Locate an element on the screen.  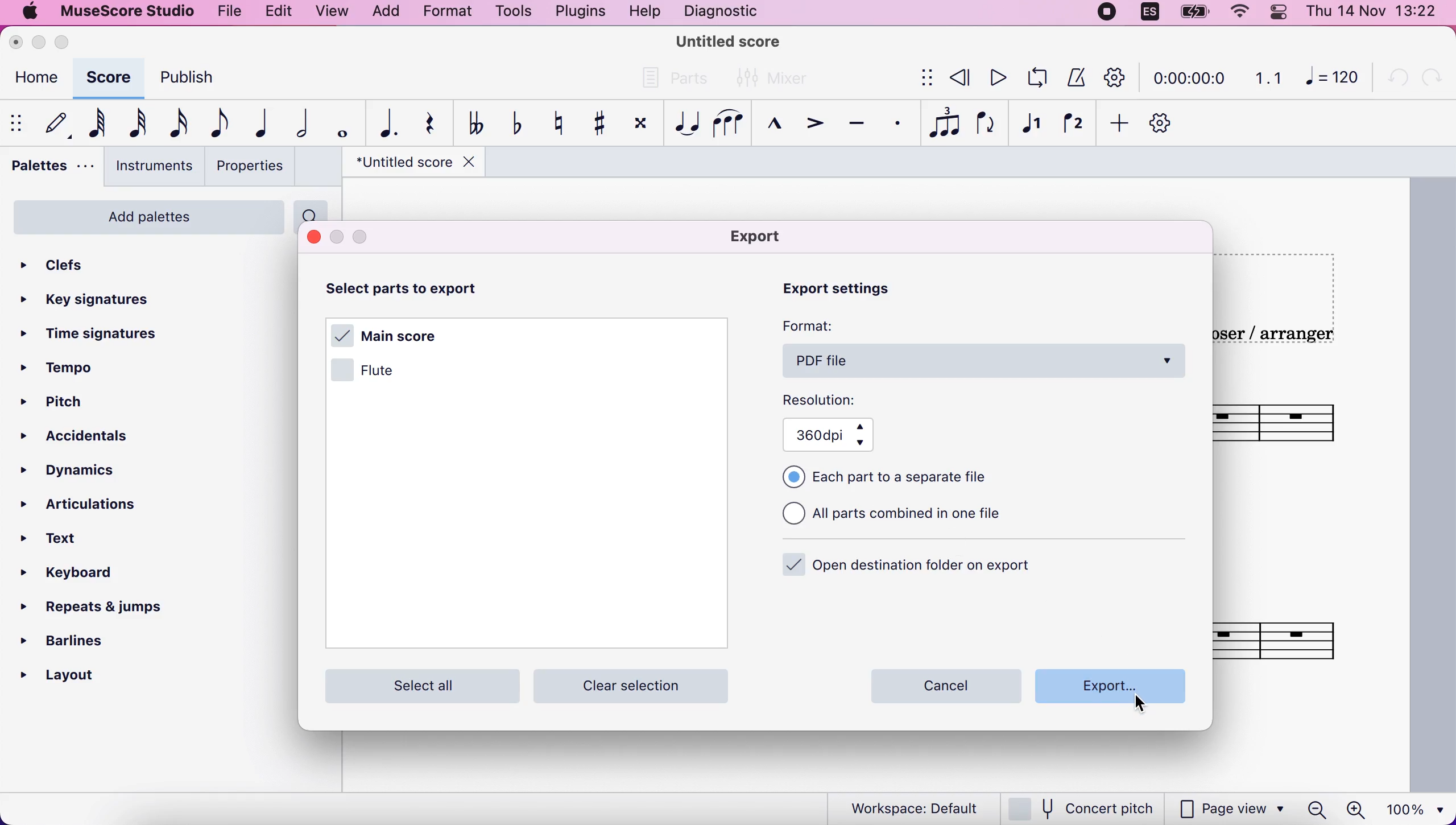
clefs is located at coordinates (71, 265).